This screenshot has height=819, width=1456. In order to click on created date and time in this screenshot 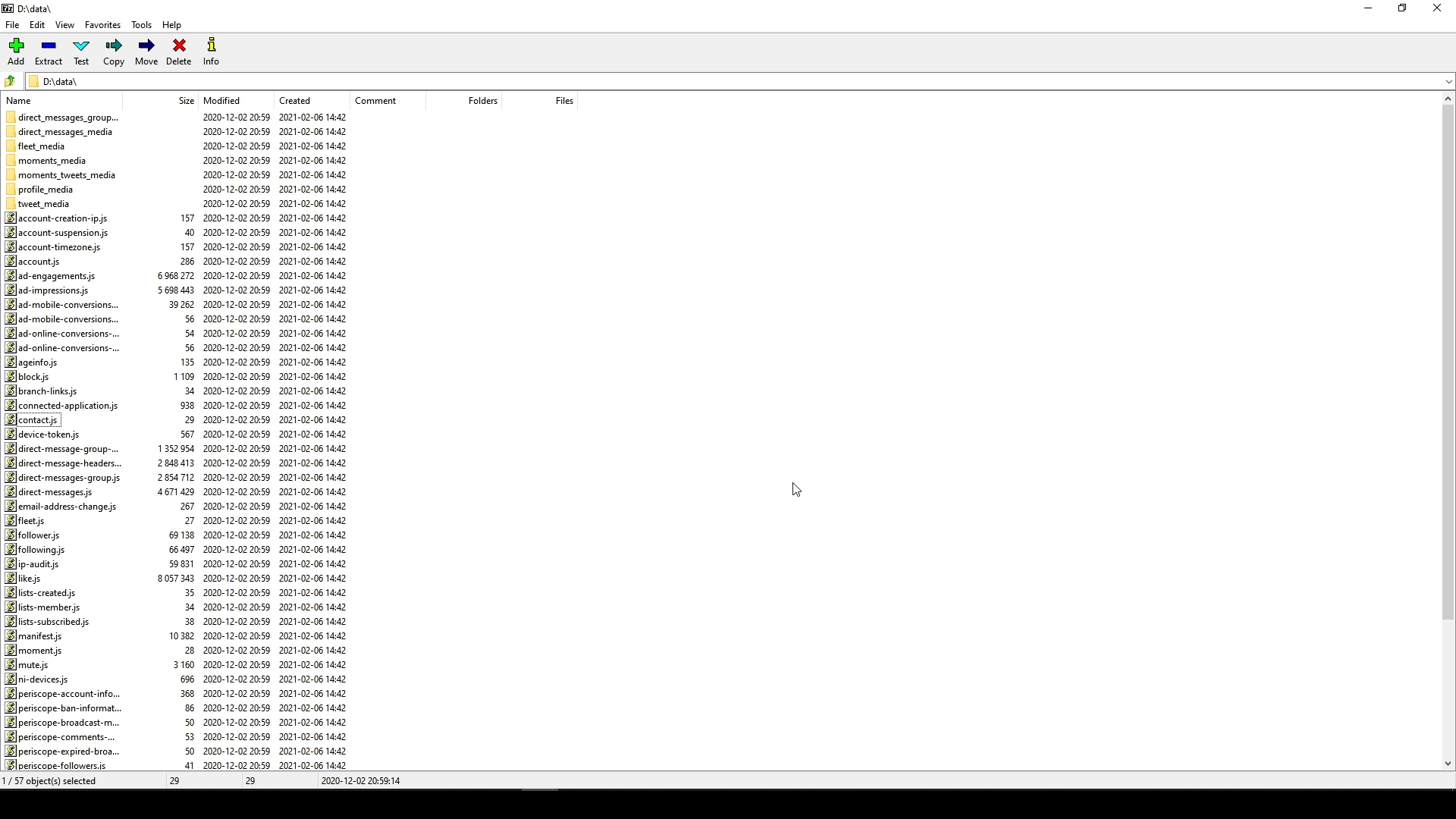, I will do `click(316, 442)`.